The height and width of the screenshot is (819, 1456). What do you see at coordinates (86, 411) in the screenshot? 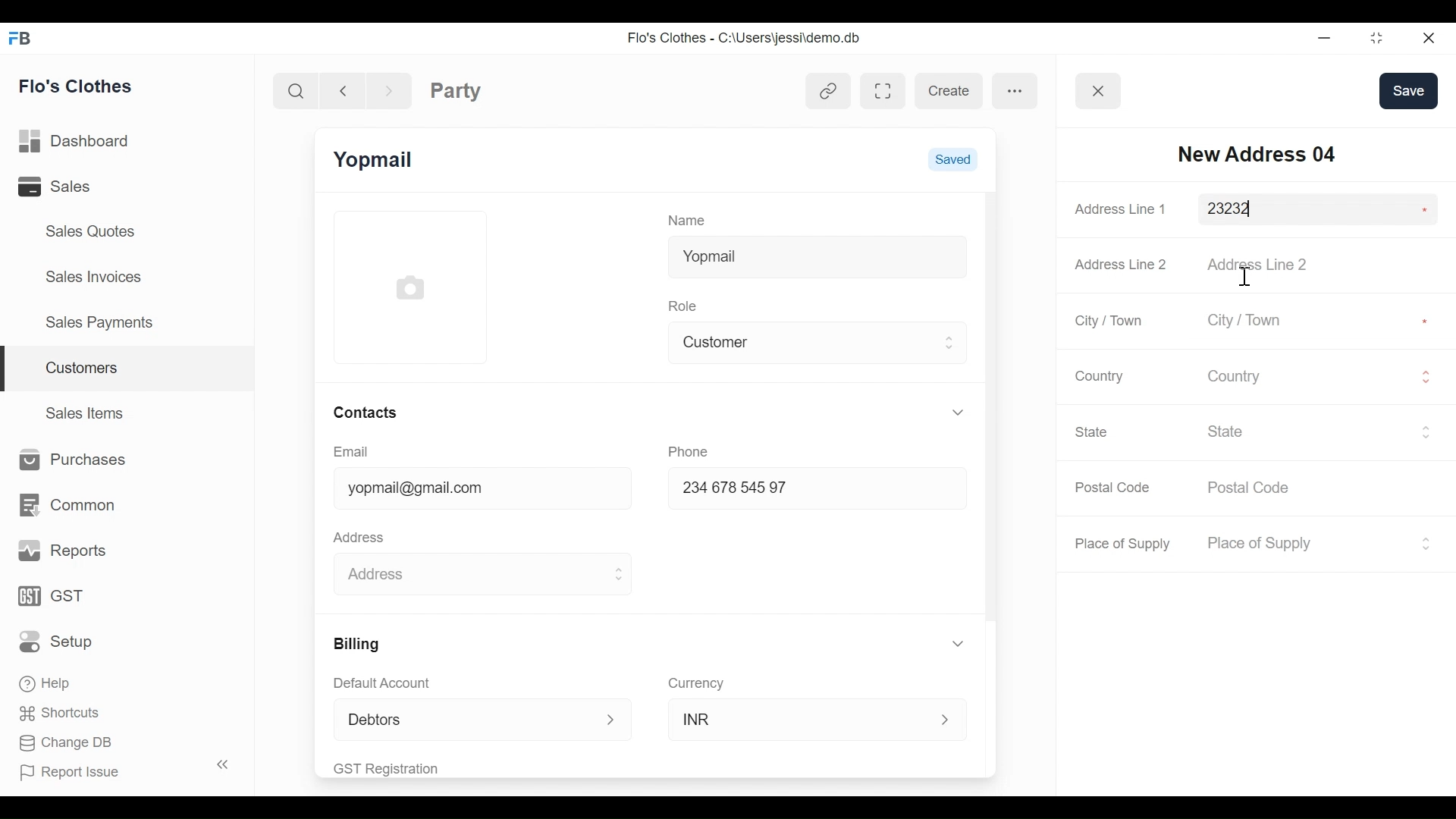
I see `Sales Items` at bounding box center [86, 411].